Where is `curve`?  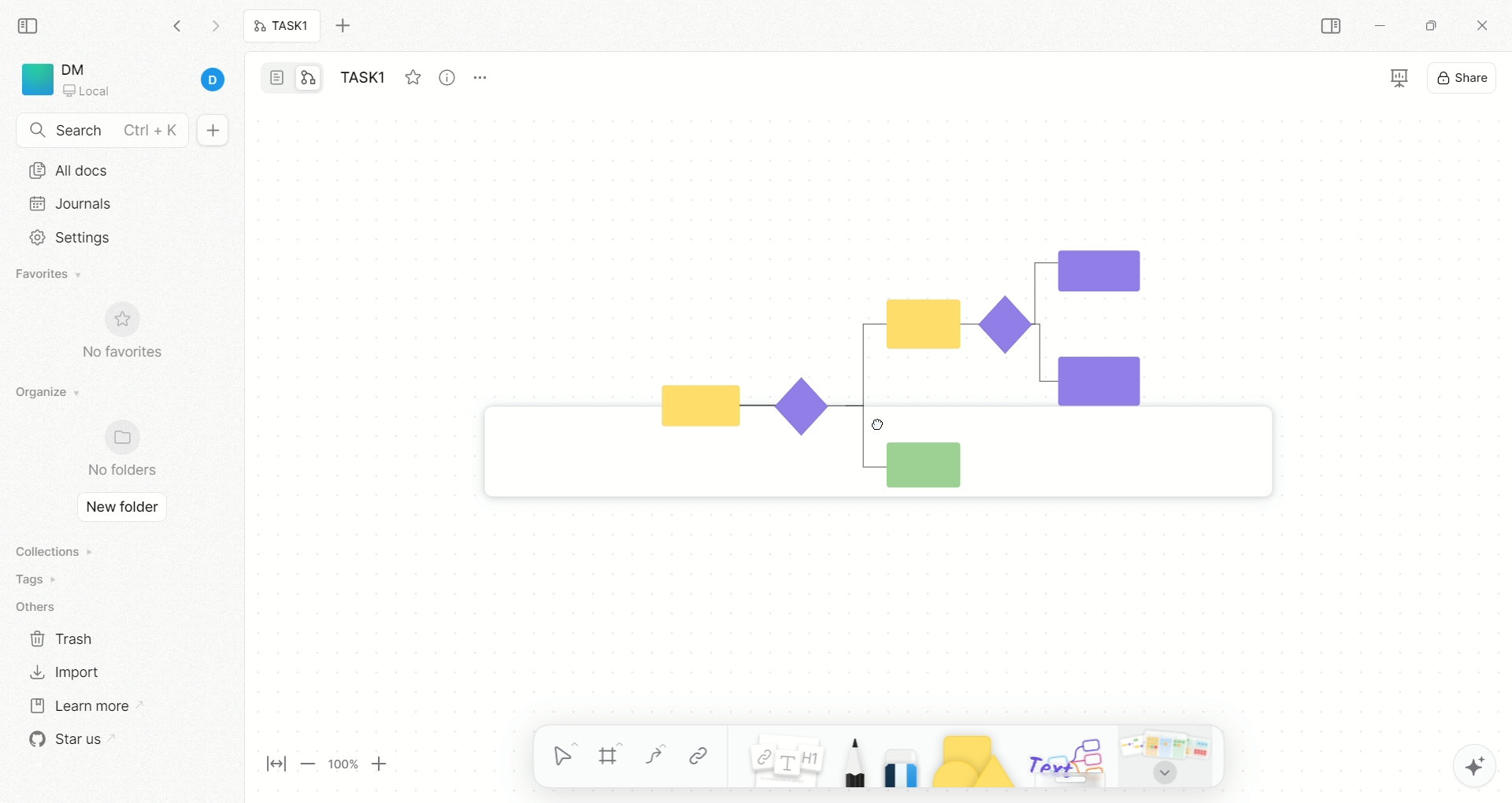 curve is located at coordinates (654, 758).